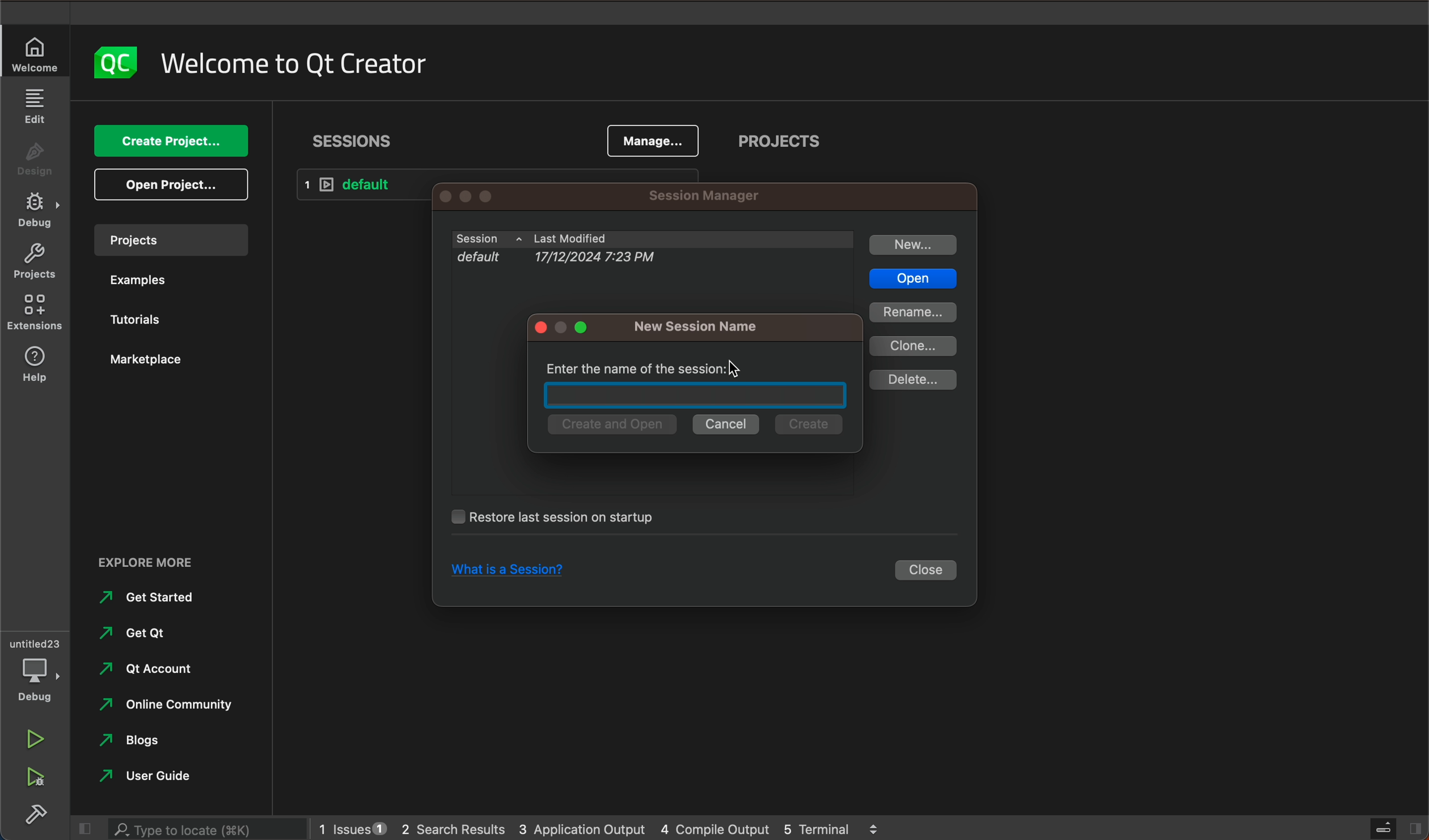 The image size is (1429, 840). I want to click on edit, so click(34, 105).